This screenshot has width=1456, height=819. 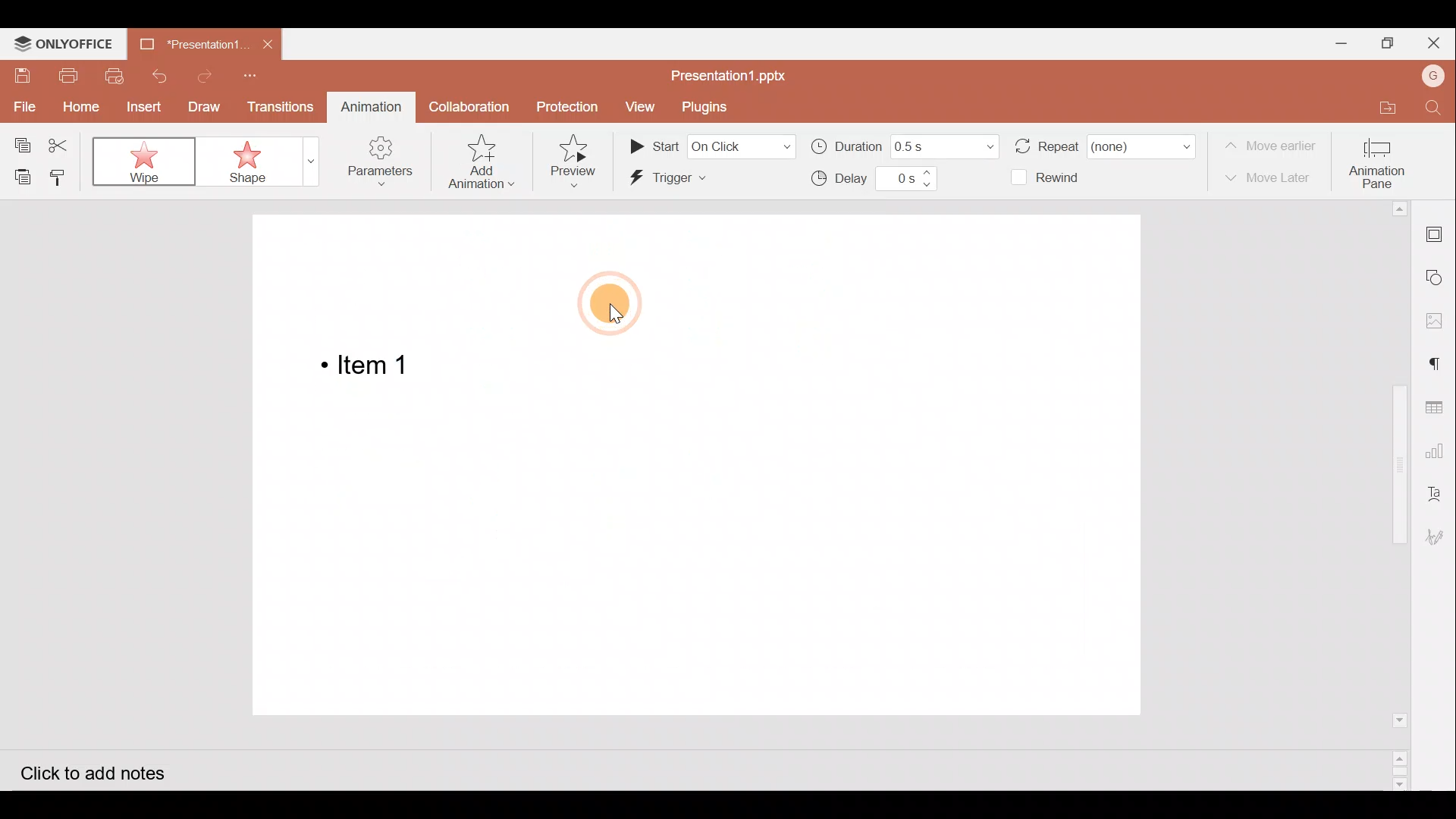 What do you see at coordinates (1434, 78) in the screenshot?
I see `Account name` at bounding box center [1434, 78].